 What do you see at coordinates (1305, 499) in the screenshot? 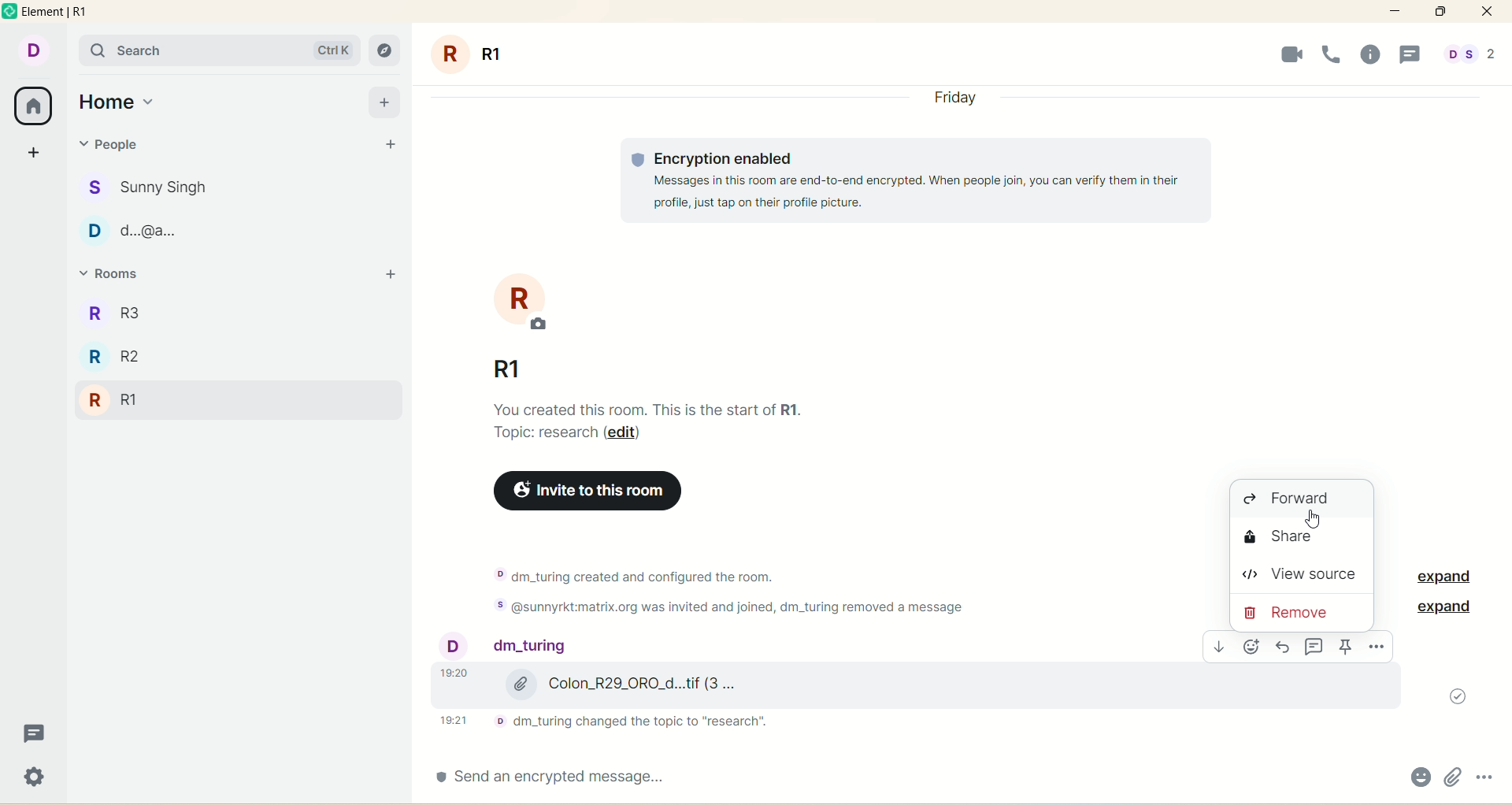
I see `forward` at bounding box center [1305, 499].